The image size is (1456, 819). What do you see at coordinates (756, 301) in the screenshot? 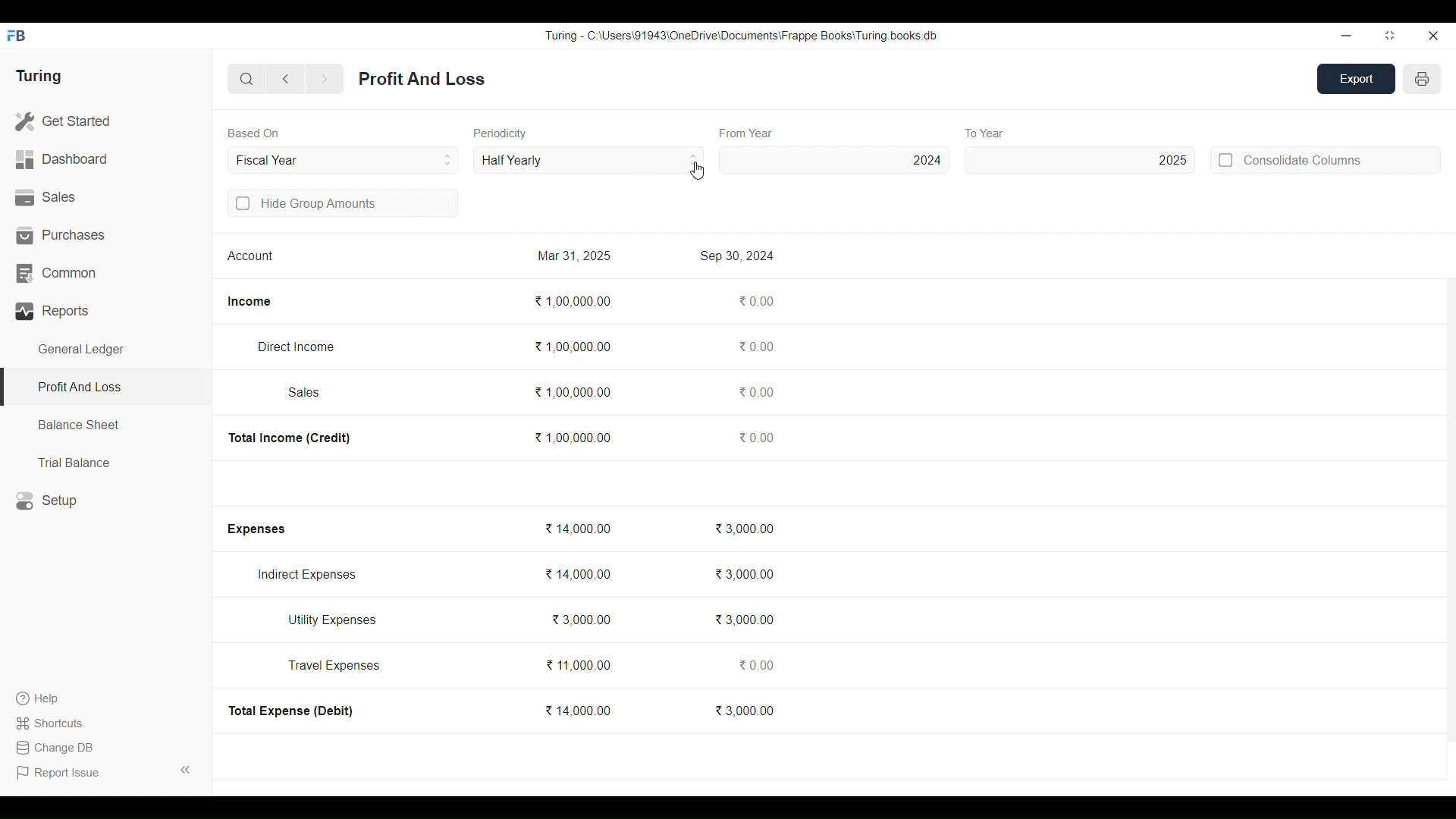
I see `0.00` at bounding box center [756, 301].